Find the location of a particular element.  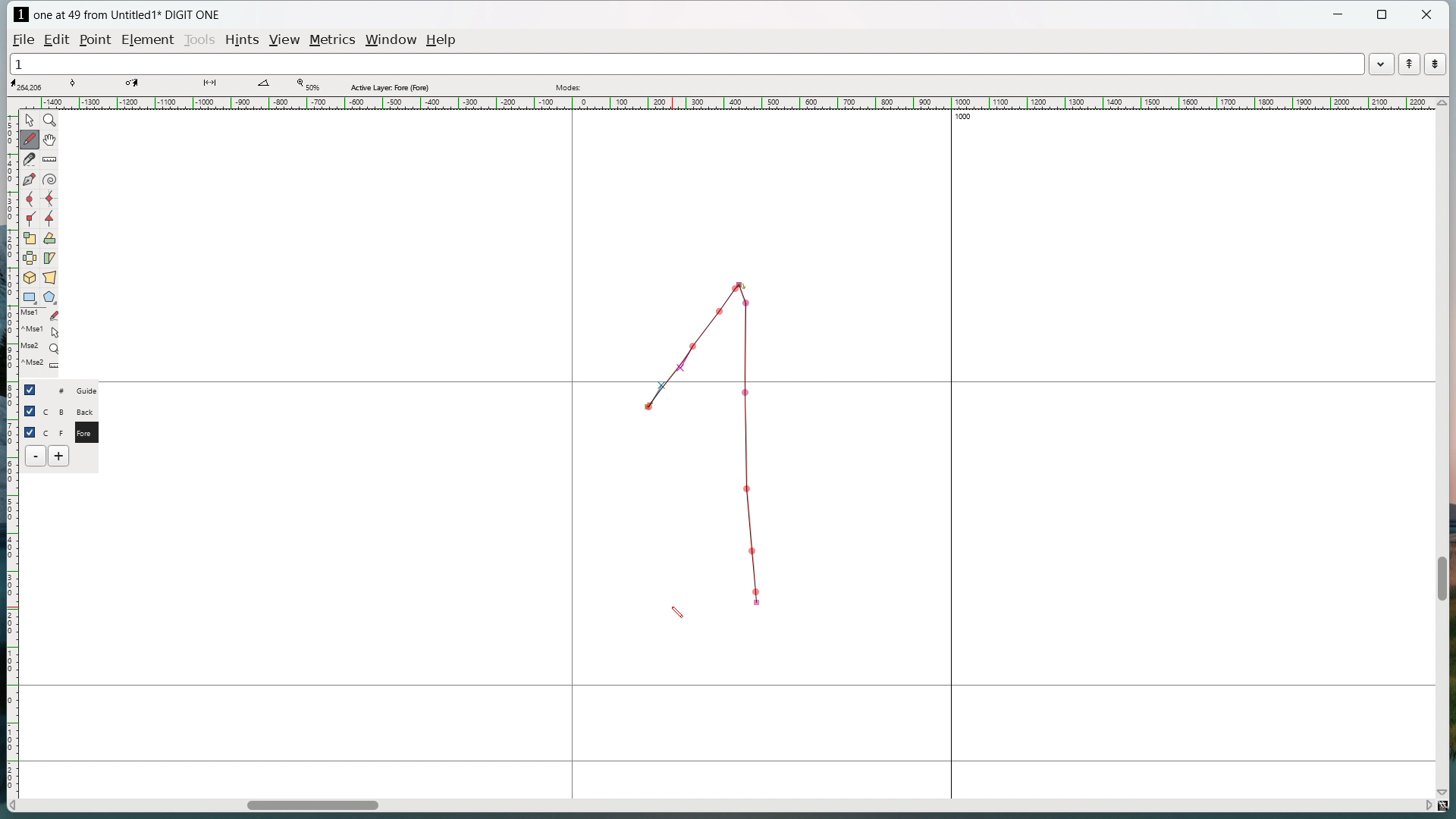

horizontal scrollbar is located at coordinates (312, 808).